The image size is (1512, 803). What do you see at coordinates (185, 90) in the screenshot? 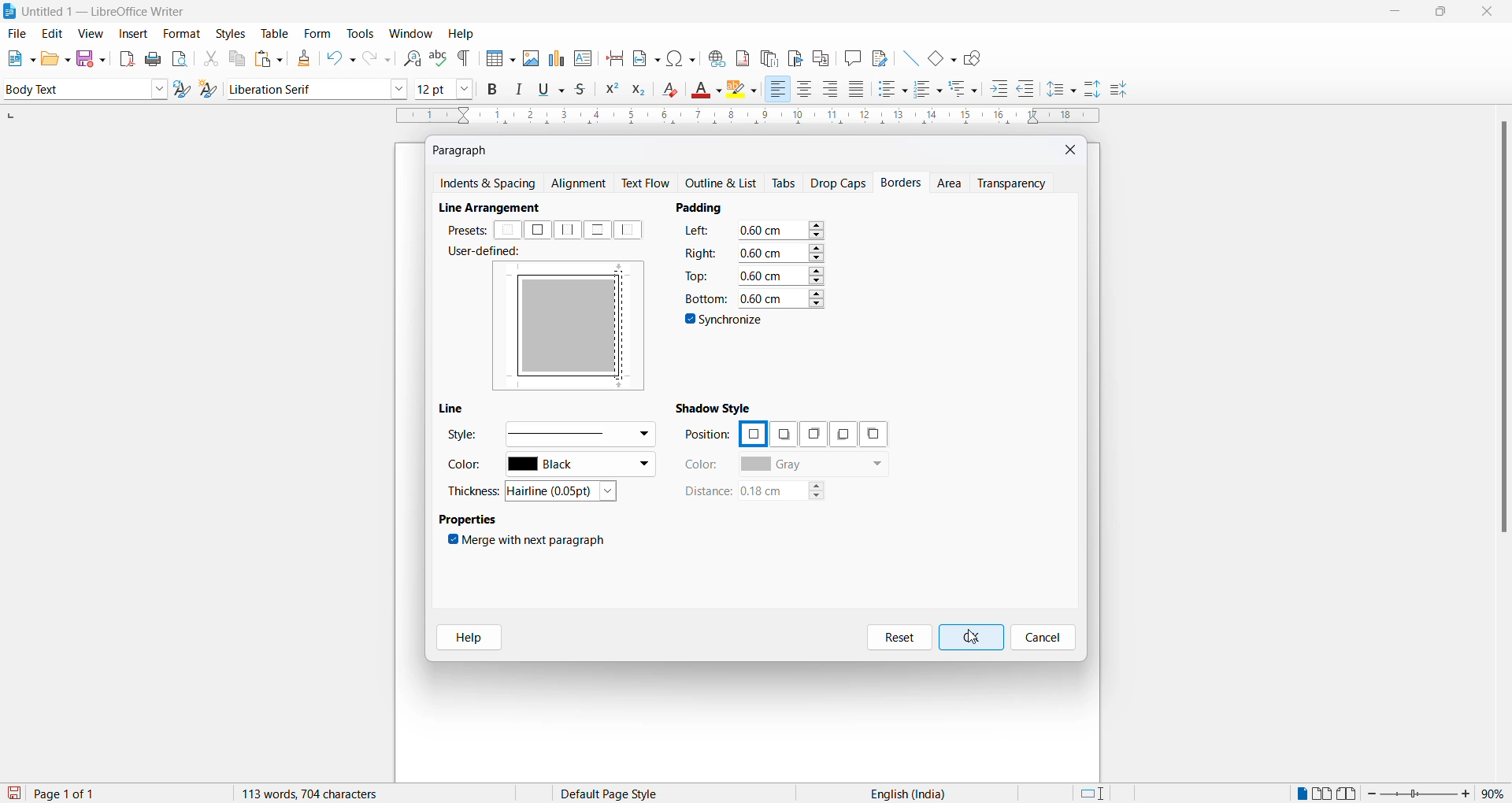
I see `update selected style` at bounding box center [185, 90].